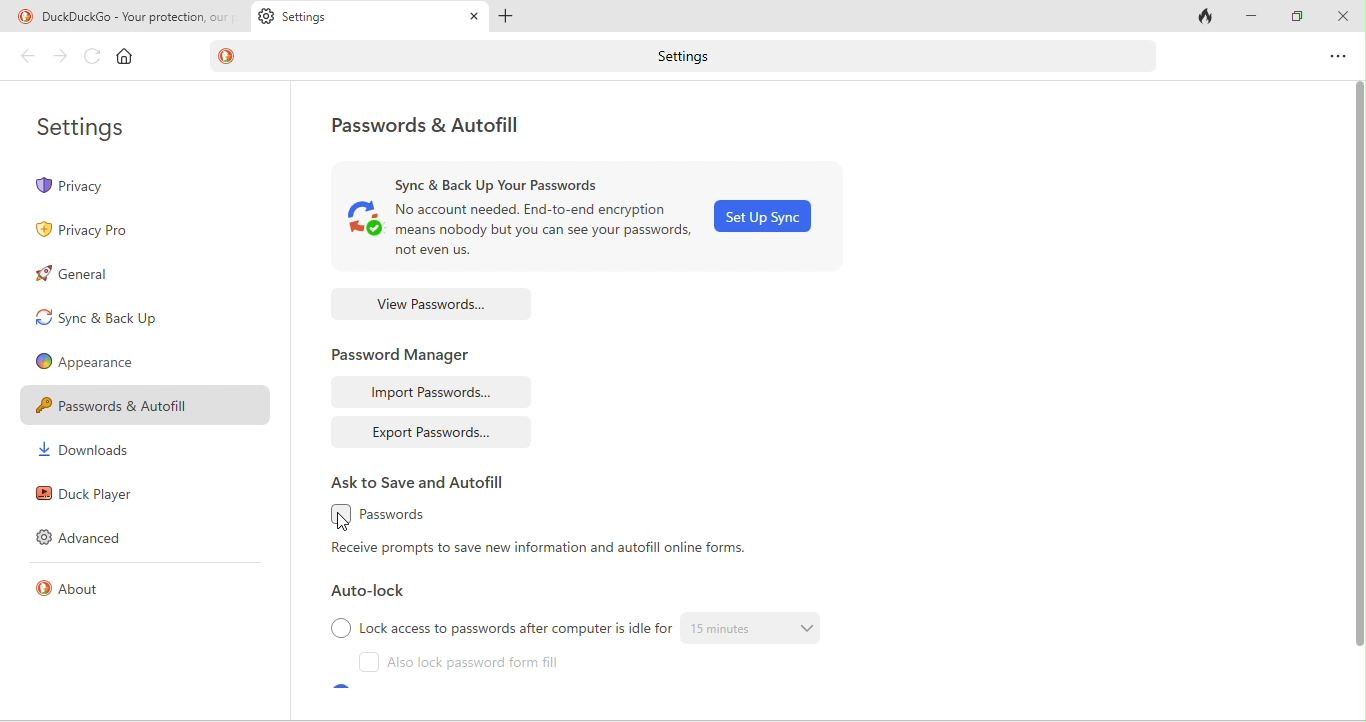  Describe the element at coordinates (1202, 15) in the screenshot. I see `close tab and clear data` at that location.